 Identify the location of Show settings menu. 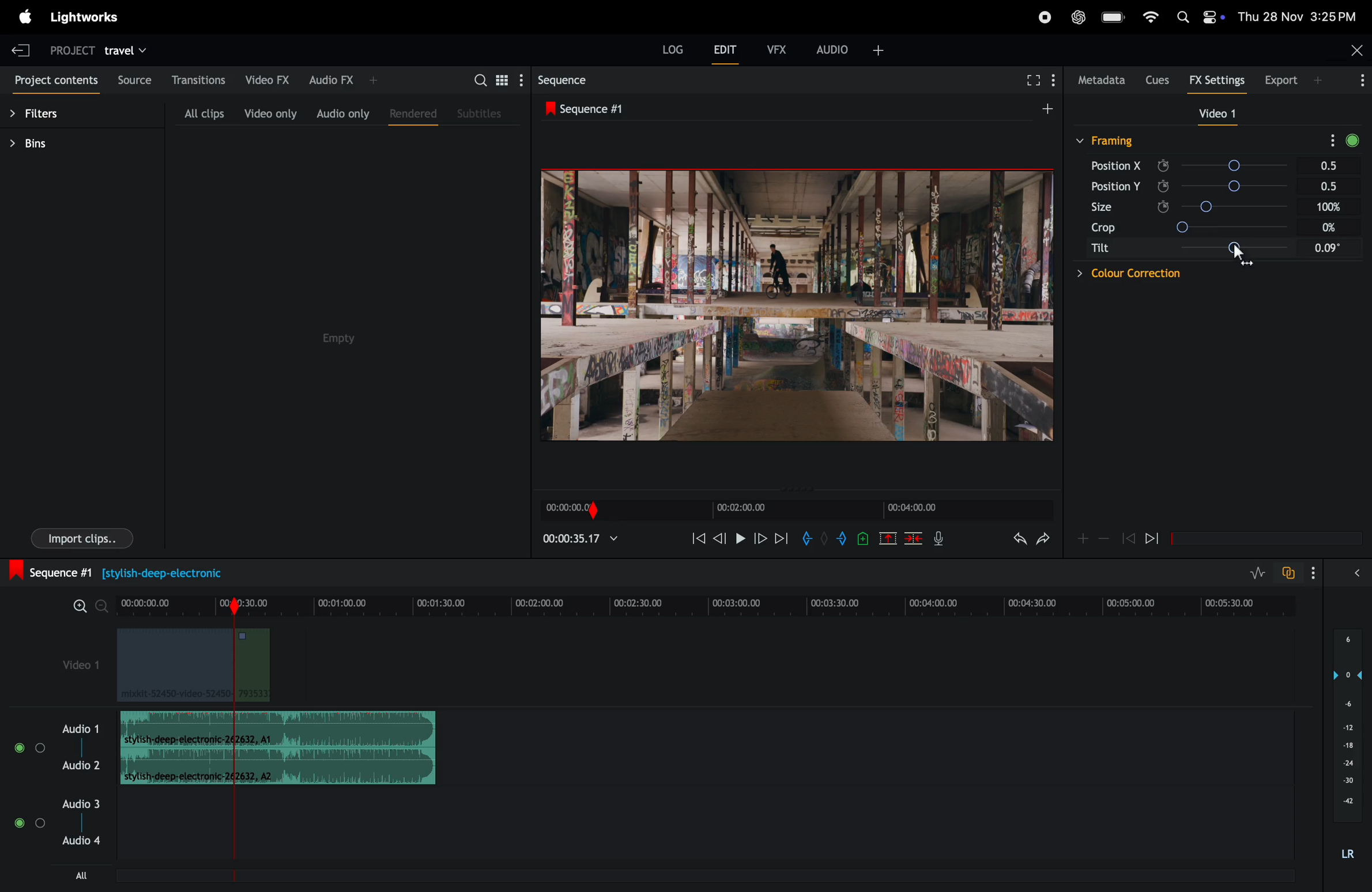
(1317, 571).